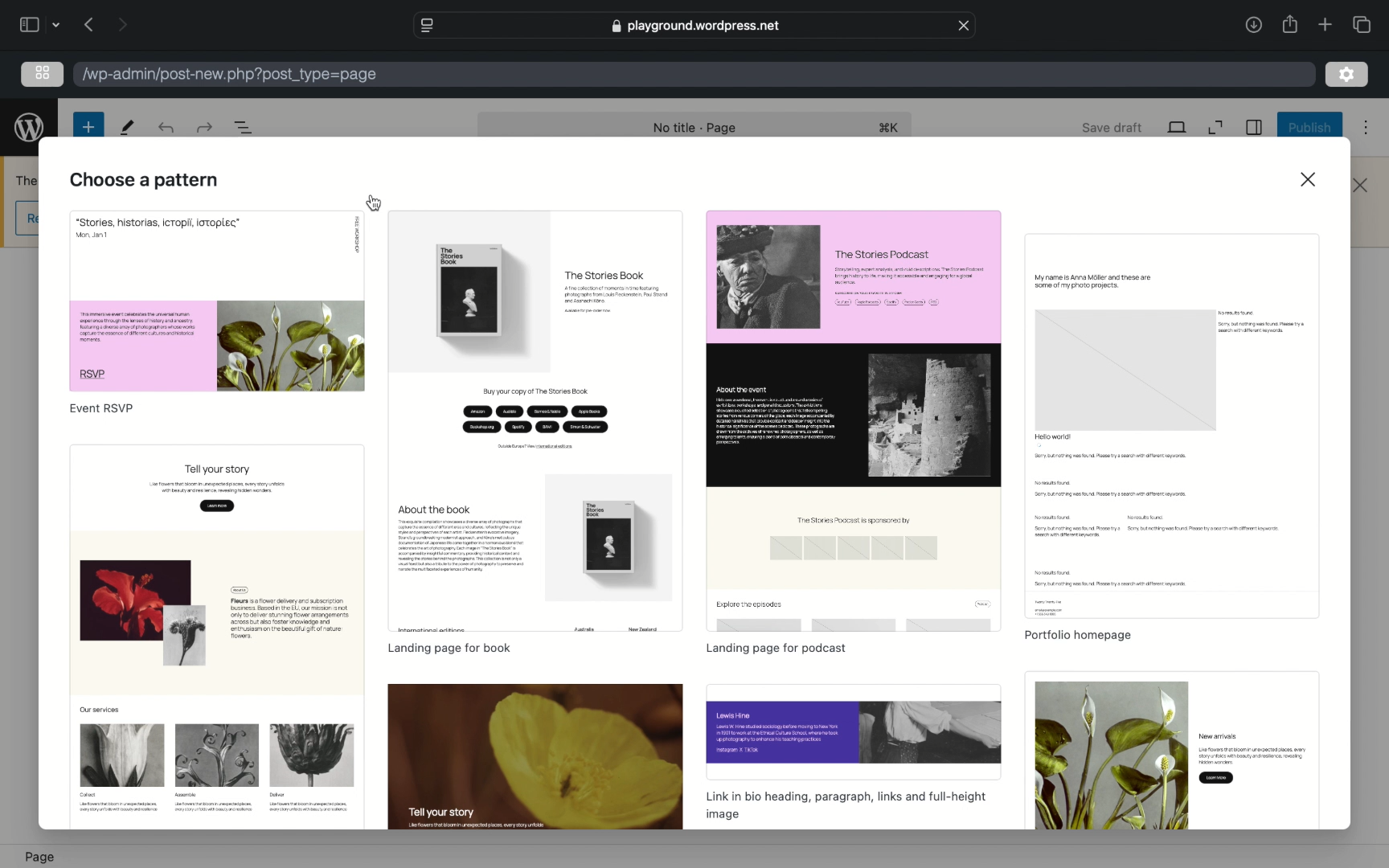 The image size is (1389, 868). Describe the element at coordinates (1324, 25) in the screenshot. I see `new tab` at that location.